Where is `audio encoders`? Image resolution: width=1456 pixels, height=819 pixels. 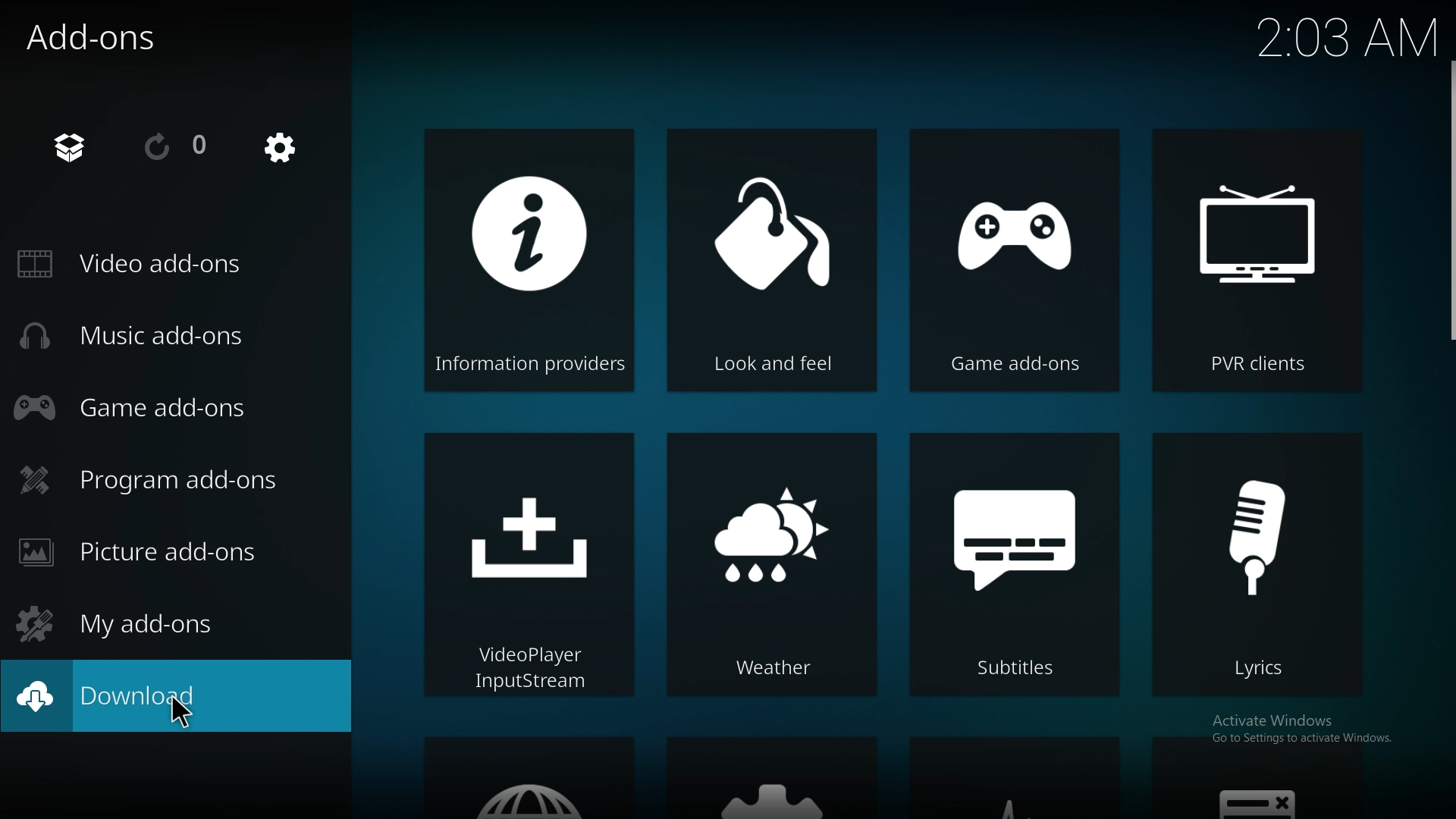 audio encoders is located at coordinates (1013, 778).